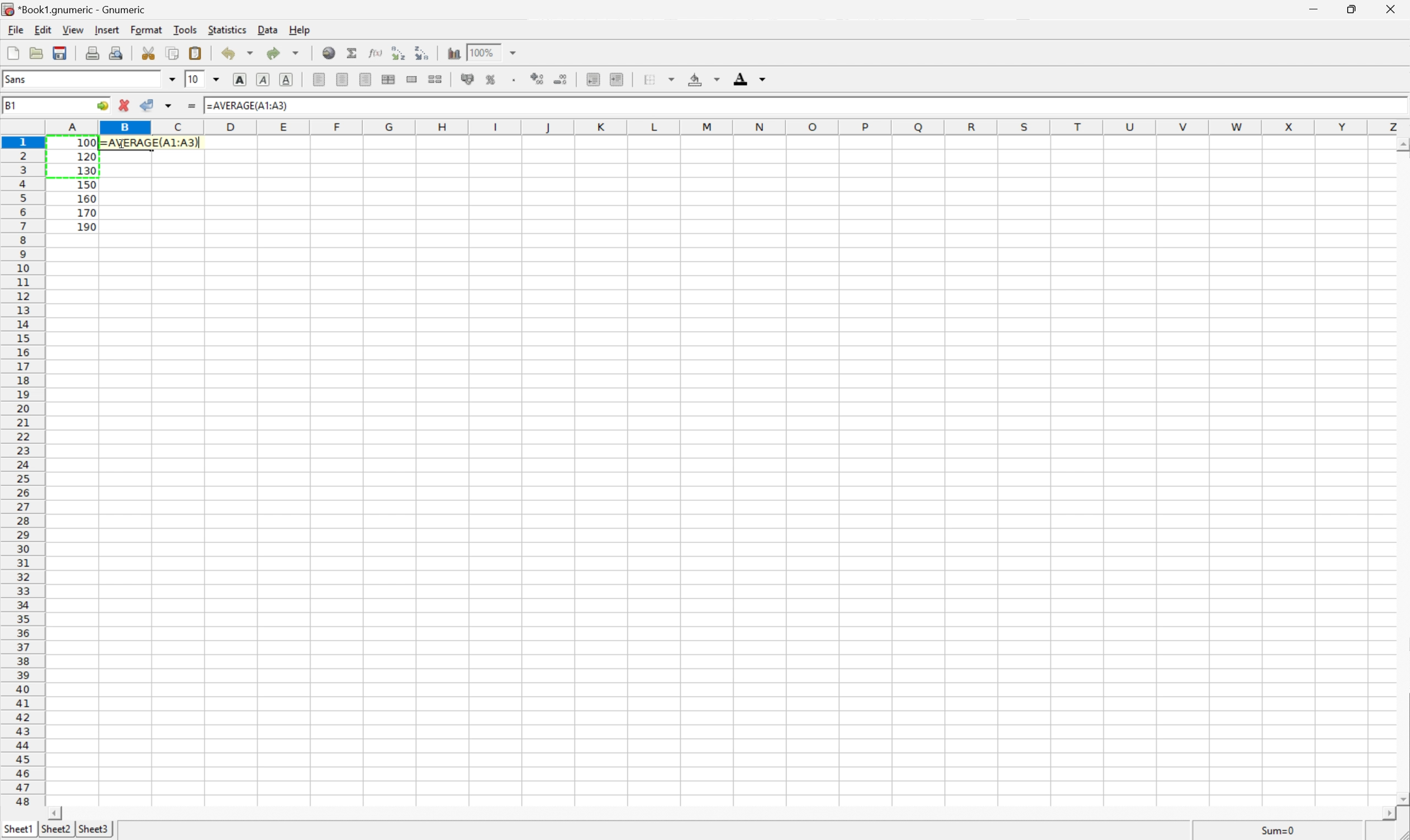 This screenshot has width=1410, height=840. I want to click on 100%, so click(484, 52).